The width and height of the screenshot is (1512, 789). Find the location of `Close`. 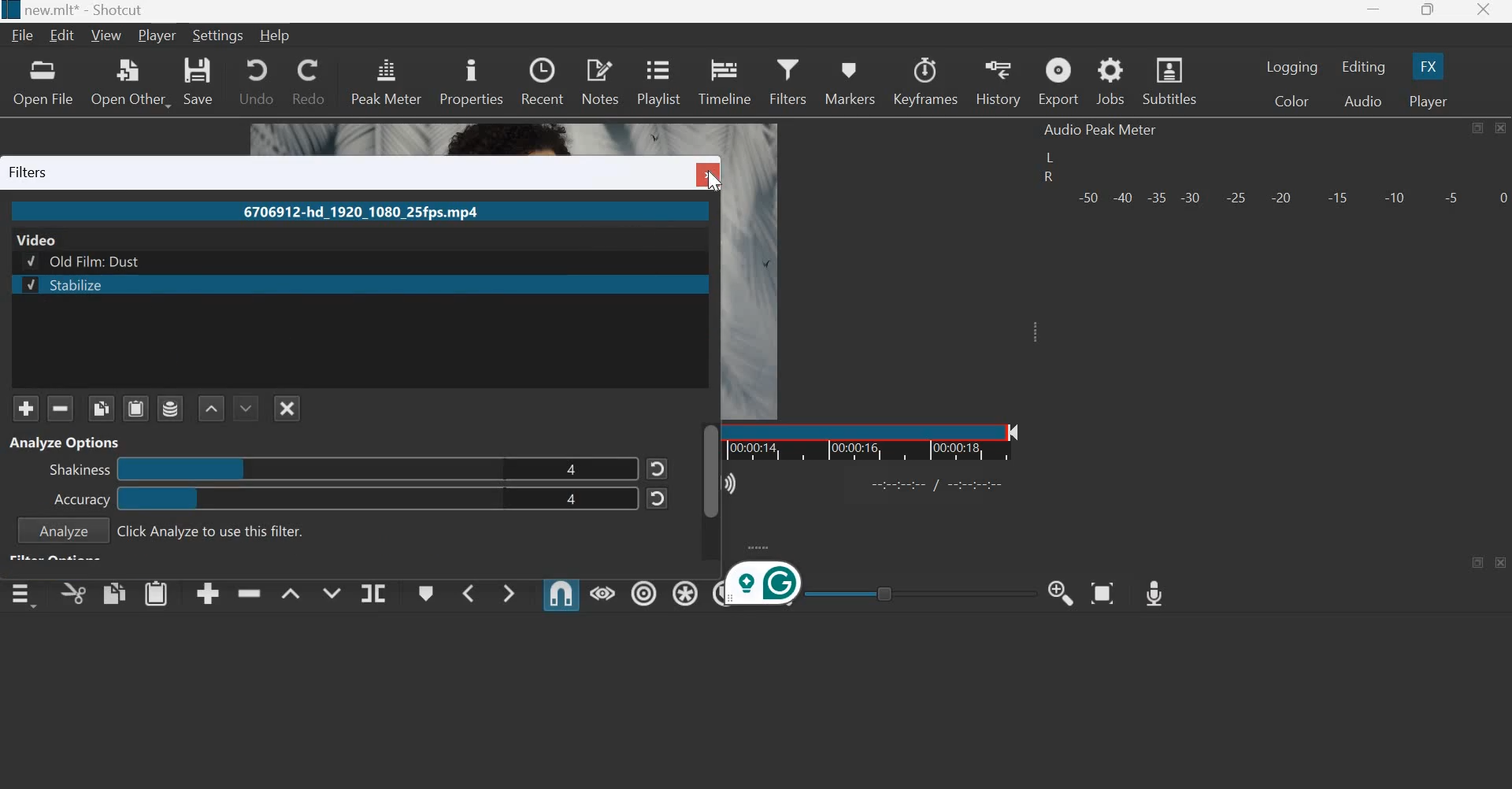

Close is located at coordinates (1502, 128).